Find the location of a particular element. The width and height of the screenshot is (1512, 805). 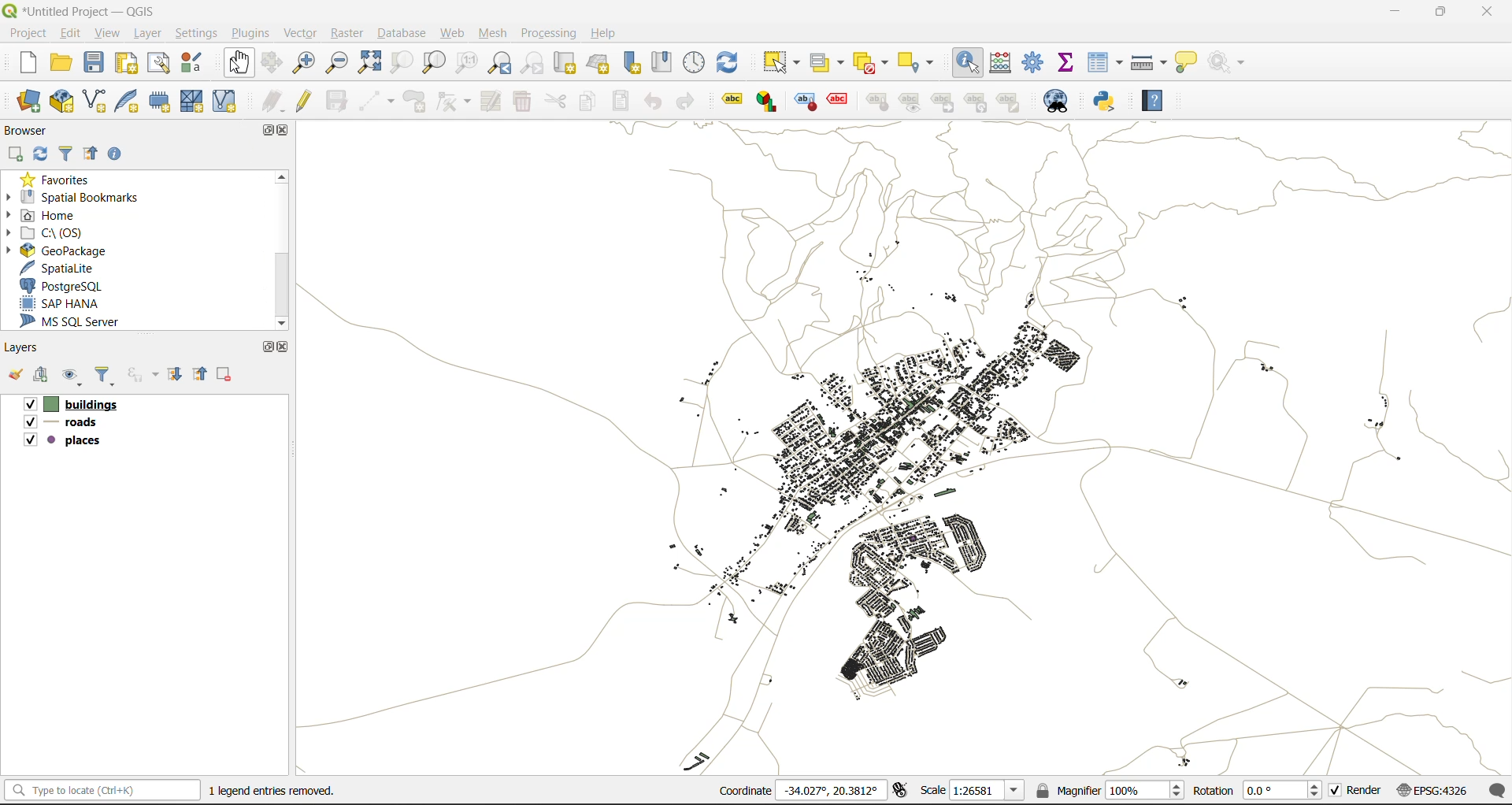

spatial bookmarks is located at coordinates (85, 198).